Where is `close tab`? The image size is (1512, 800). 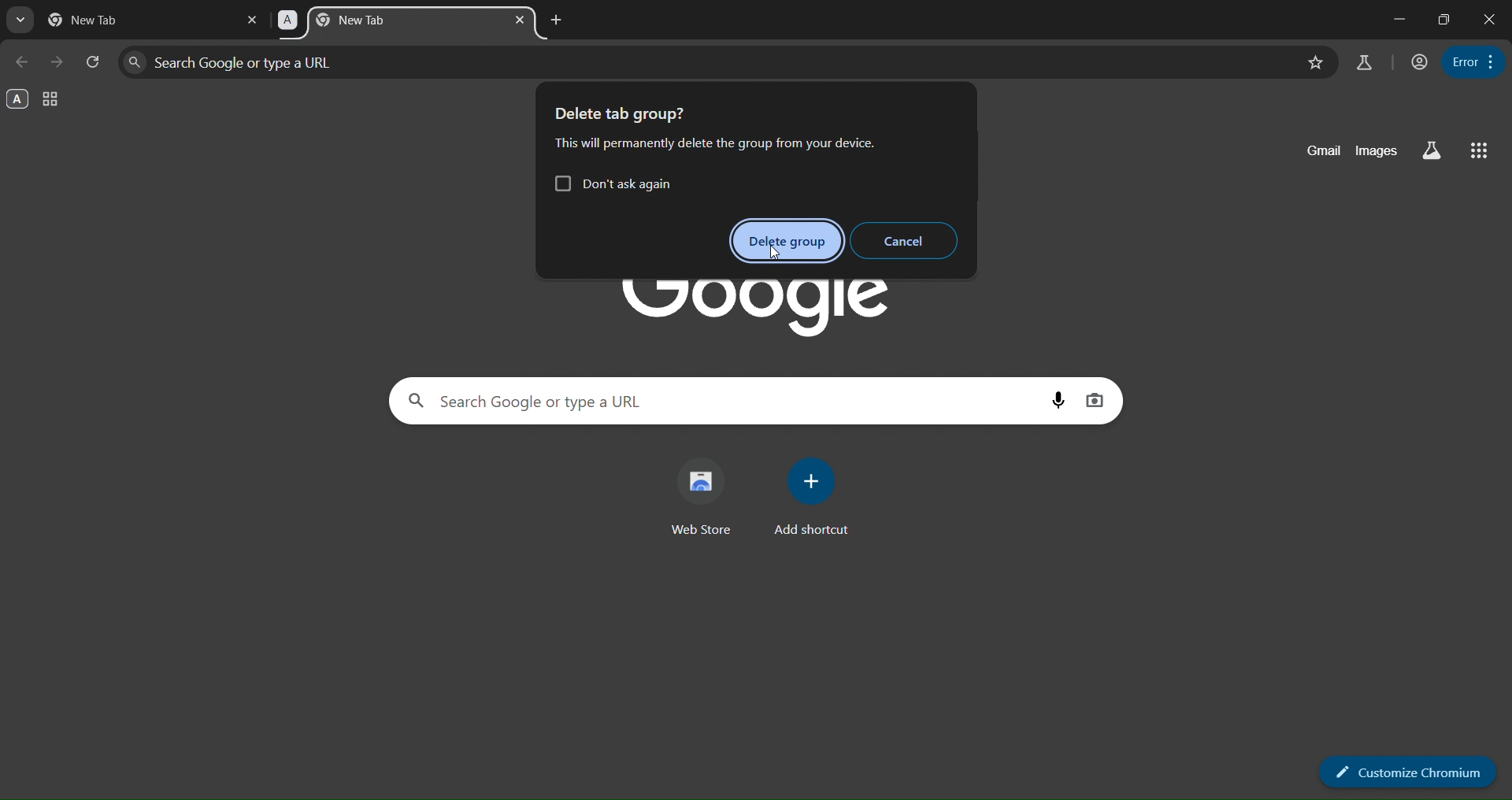
close tab is located at coordinates (253, 19).